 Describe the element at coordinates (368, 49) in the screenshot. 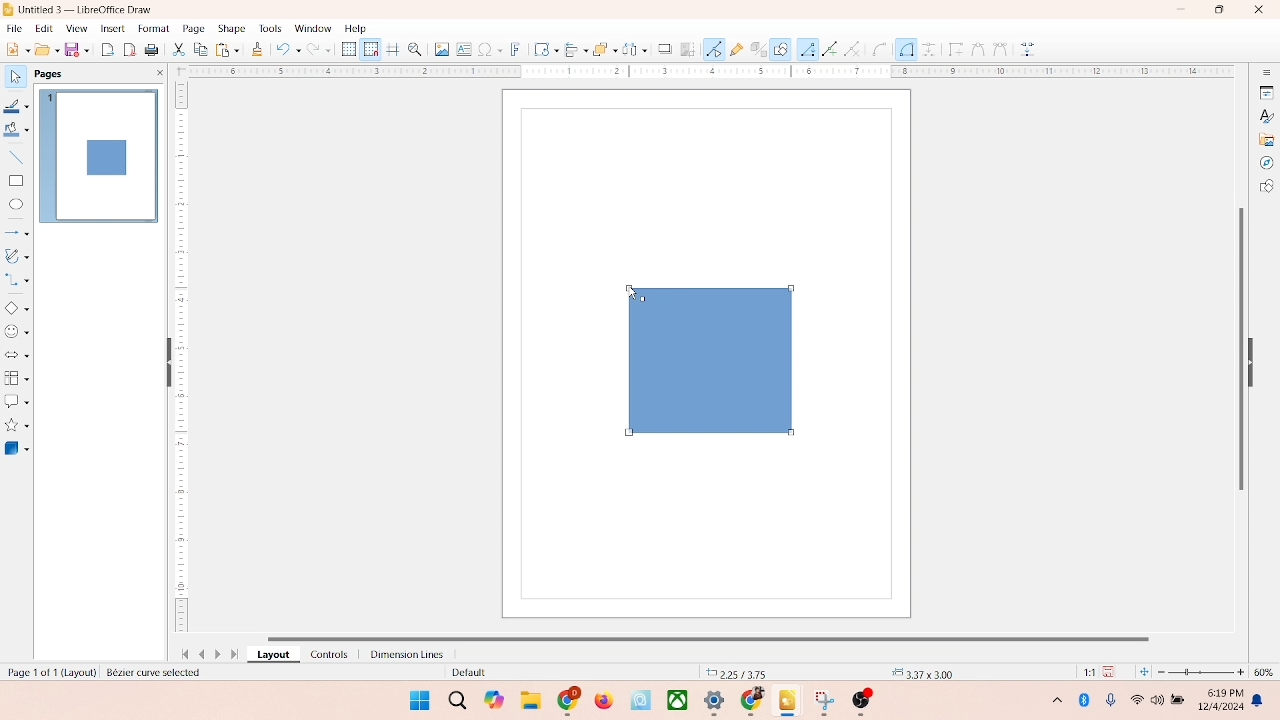

I see `snap to grid` at that location.